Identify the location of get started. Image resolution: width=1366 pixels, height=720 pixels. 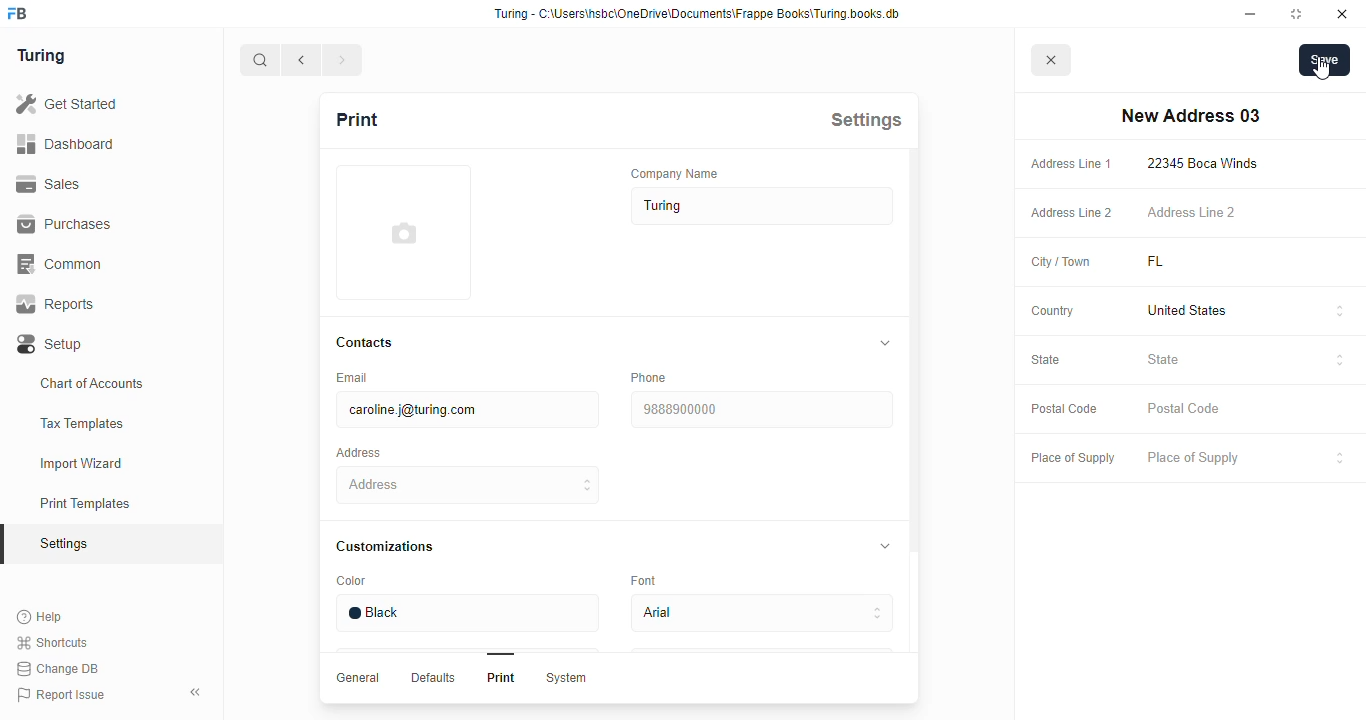
(66, 104).